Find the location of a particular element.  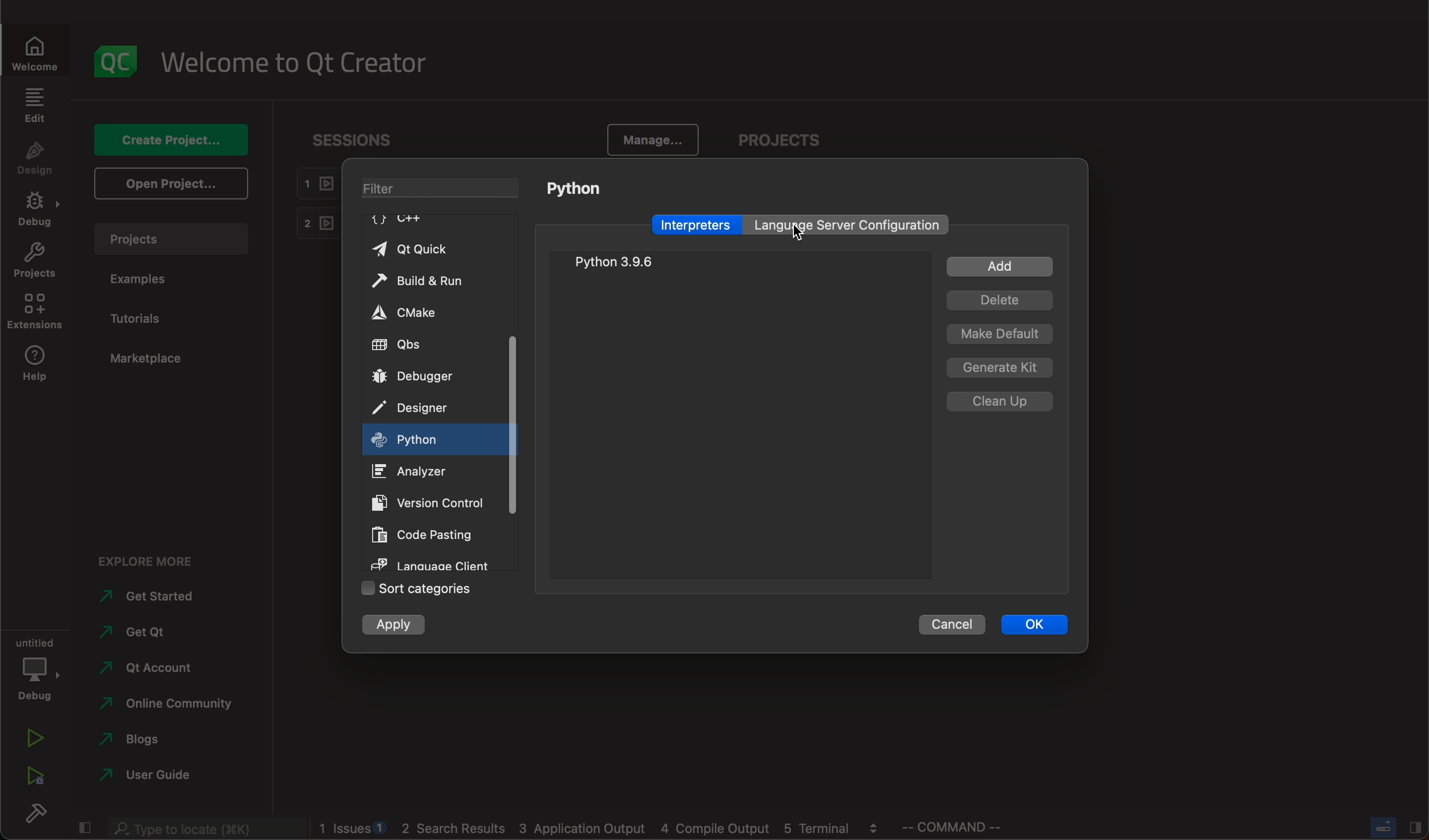

close slide bar is located at coordinates (1393, 827).